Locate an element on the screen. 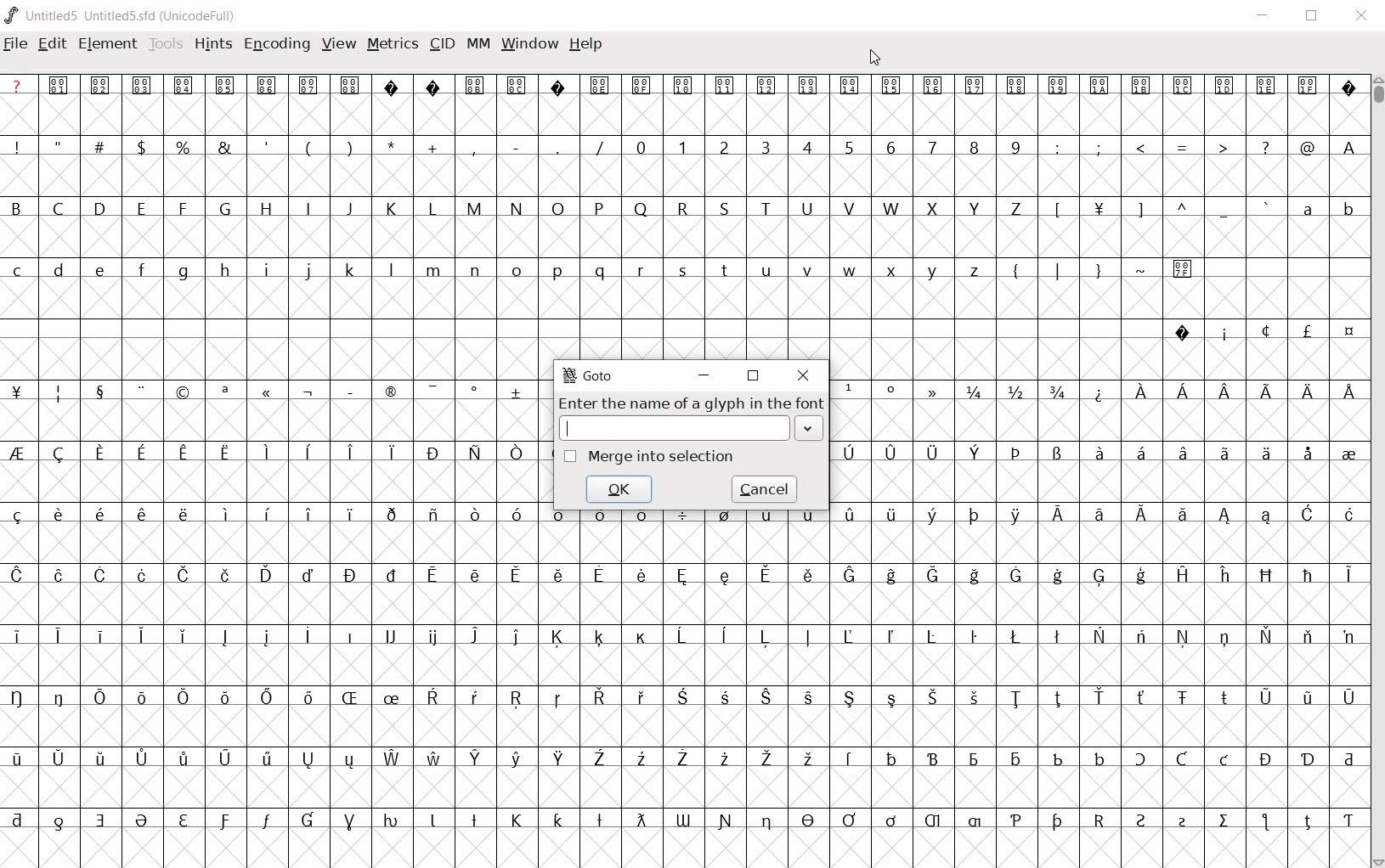 The width and height of the screenshot is (1385, 868). 0 is located at coordinates (639, 146).